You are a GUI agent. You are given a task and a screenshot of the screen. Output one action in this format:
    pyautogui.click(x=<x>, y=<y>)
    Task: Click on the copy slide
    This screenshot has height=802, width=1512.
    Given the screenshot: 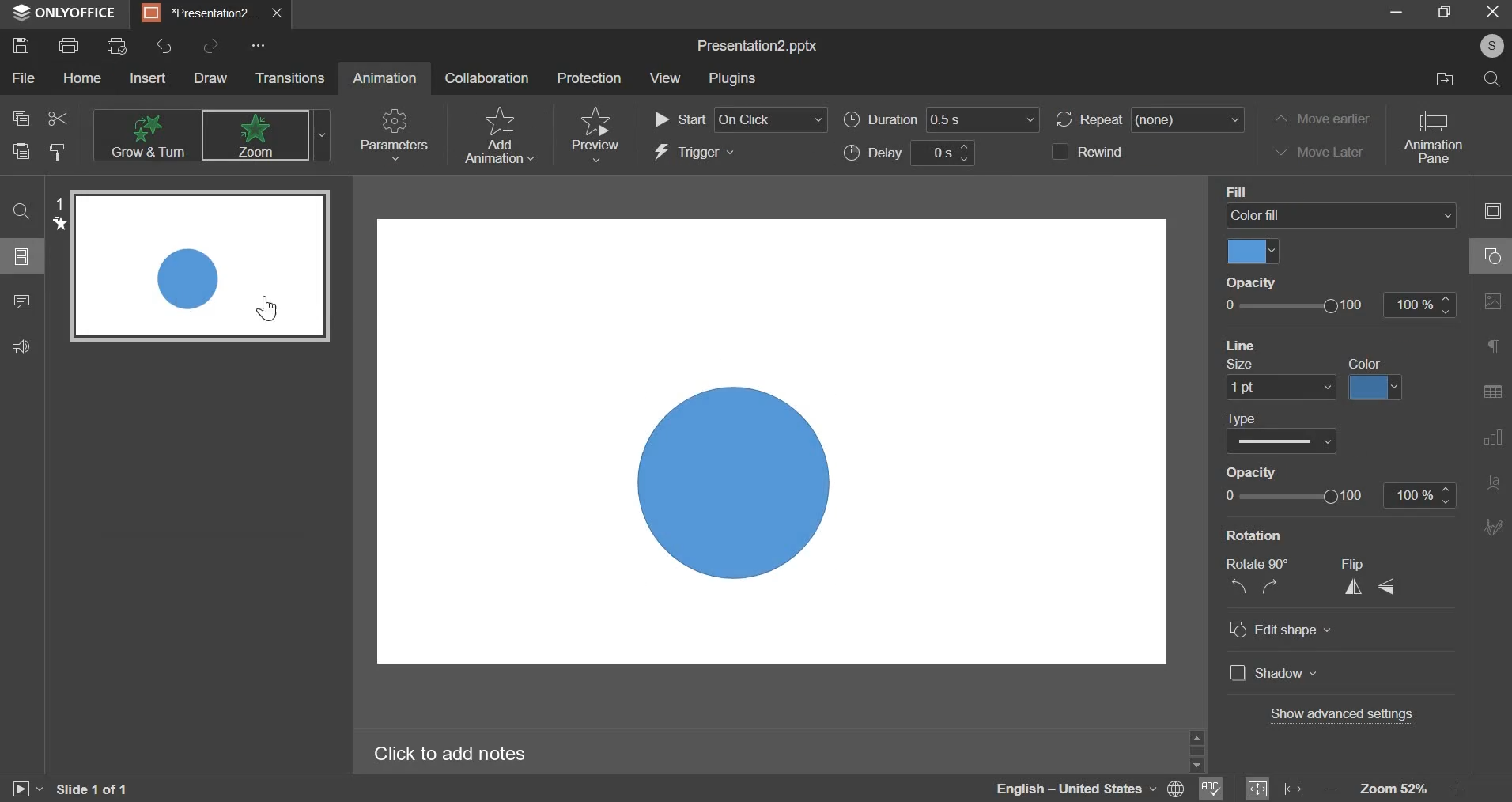 What is the action you would take?
    pyautogui.click(x=58, y=152)
    